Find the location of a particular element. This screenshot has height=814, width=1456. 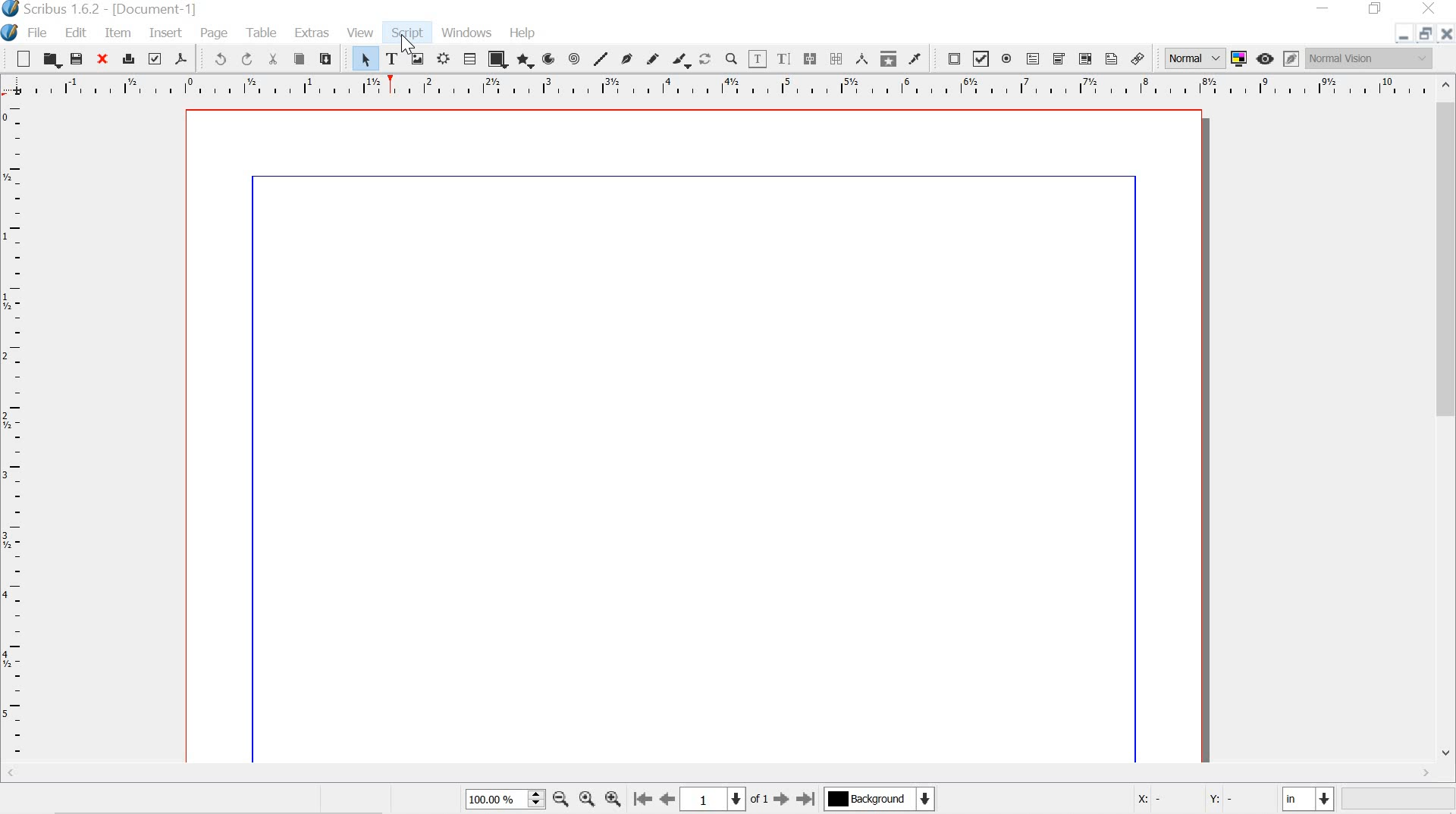

zoom in or out is located at coordinates (732, 59).